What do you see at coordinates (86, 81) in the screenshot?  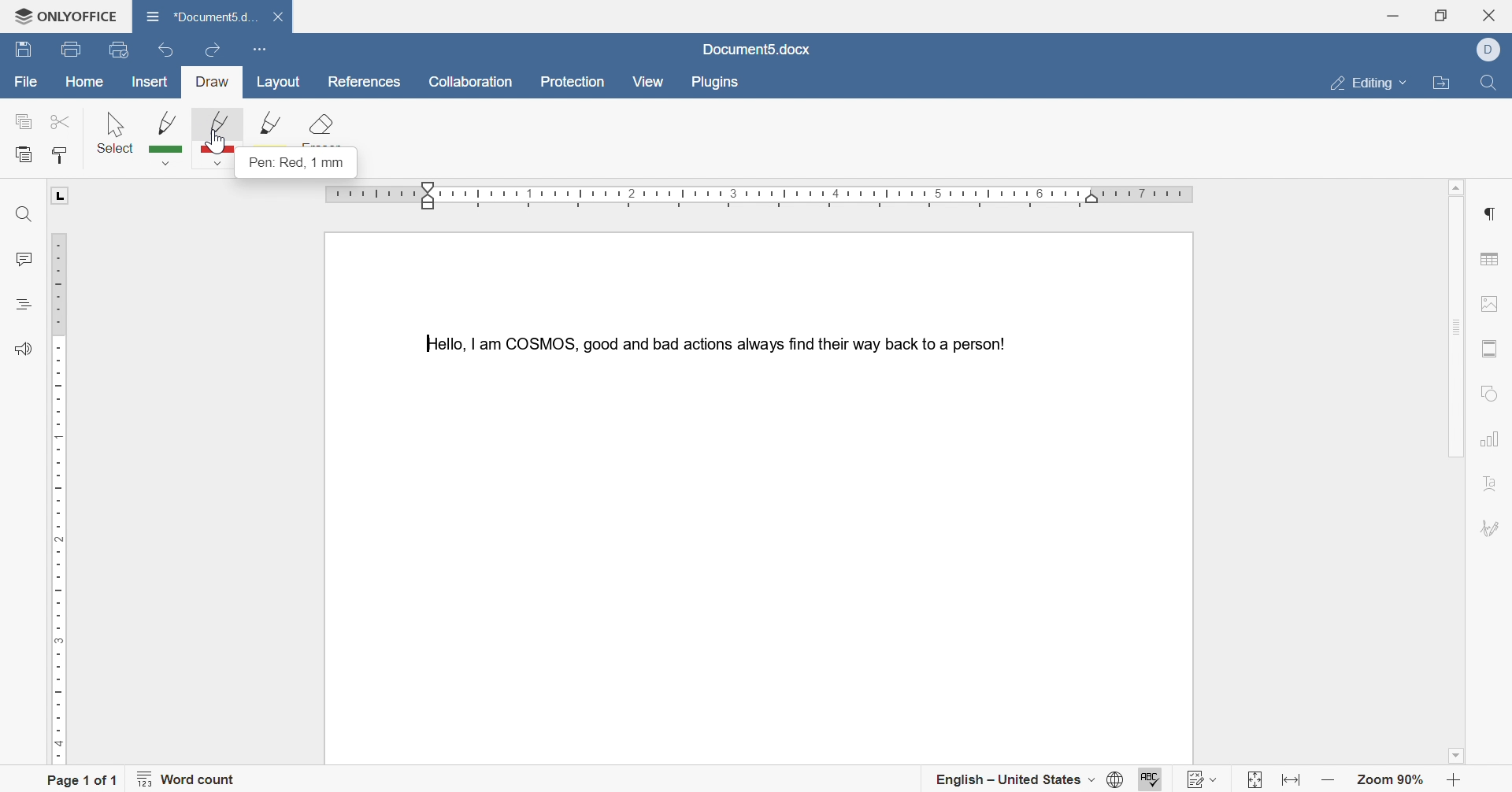 I see `home` at bounding box center [86, 81].